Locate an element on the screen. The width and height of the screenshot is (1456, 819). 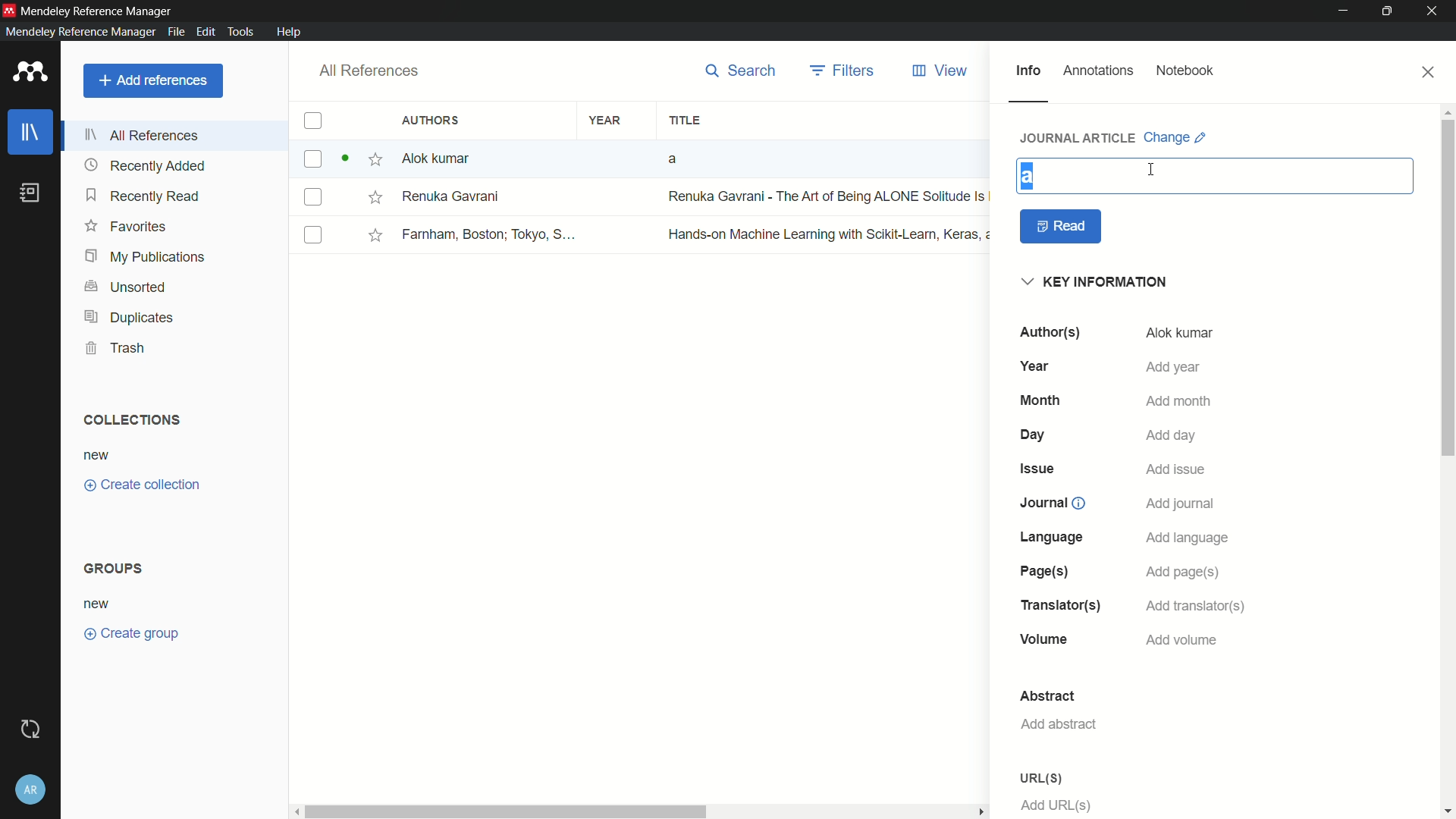
month is located at coordinates (1040, 400).